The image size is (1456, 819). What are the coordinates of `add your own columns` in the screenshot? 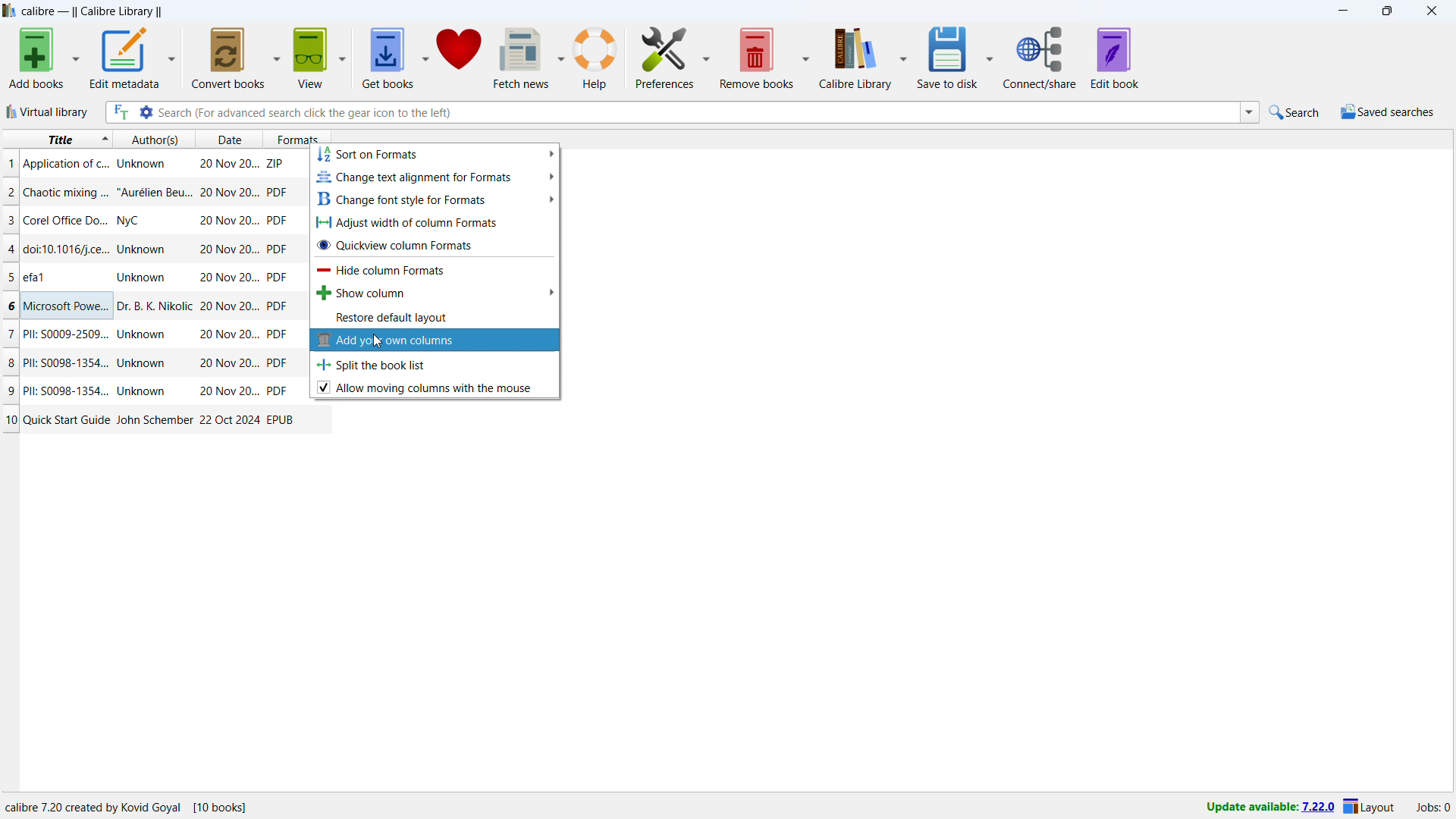 It's located at (433, 340).